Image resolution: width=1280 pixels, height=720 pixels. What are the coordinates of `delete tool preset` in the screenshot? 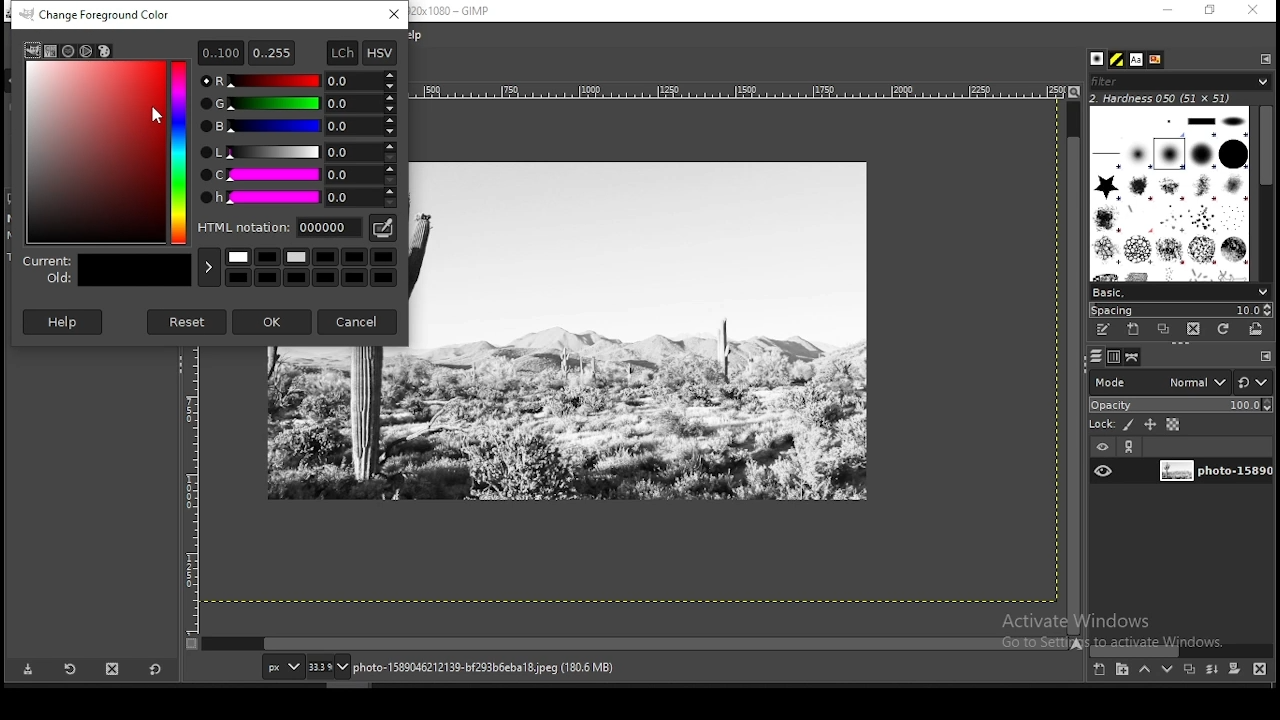 It's located at (112, 669).